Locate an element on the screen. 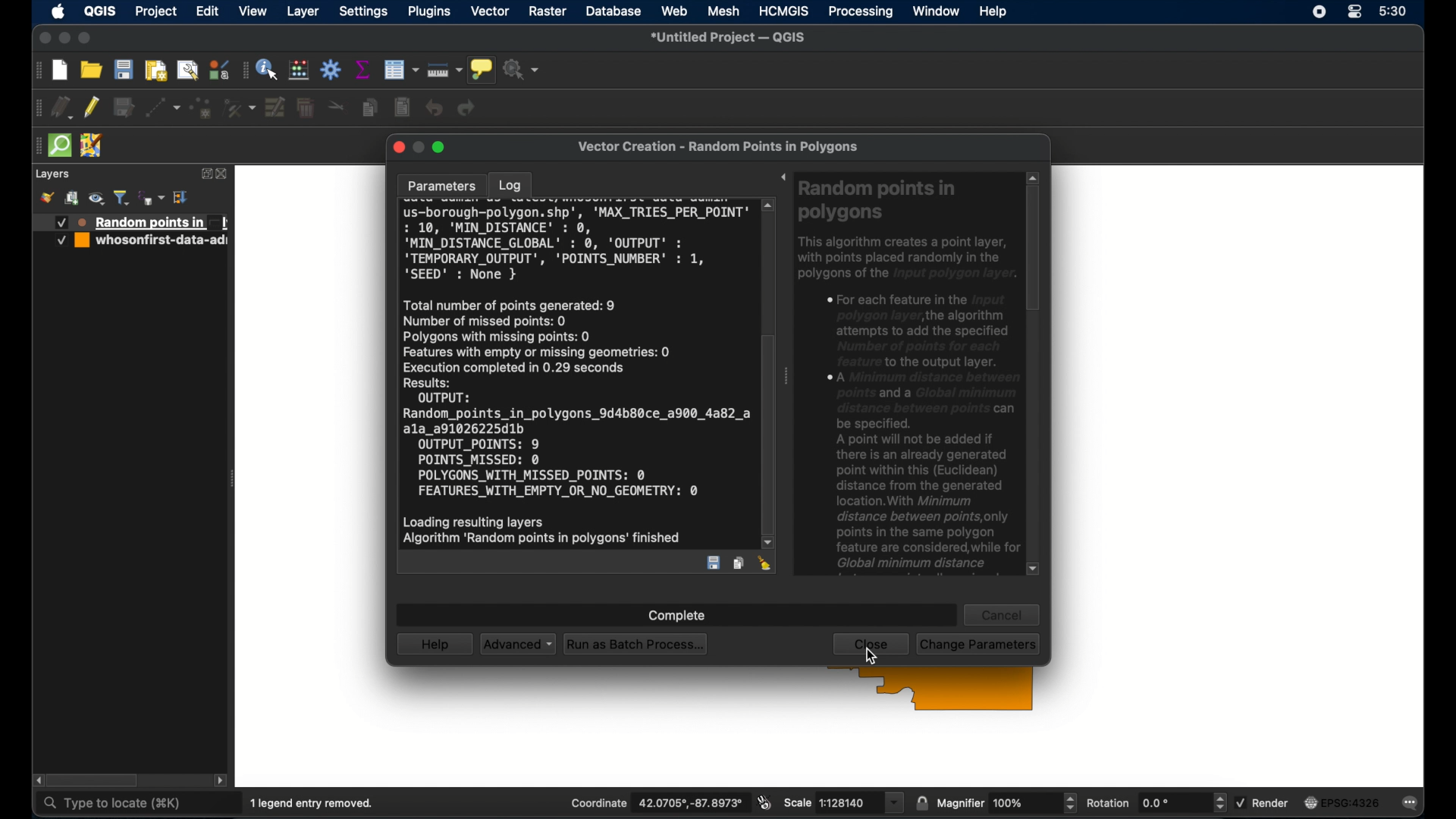  help is located at coordinates (435, 644).